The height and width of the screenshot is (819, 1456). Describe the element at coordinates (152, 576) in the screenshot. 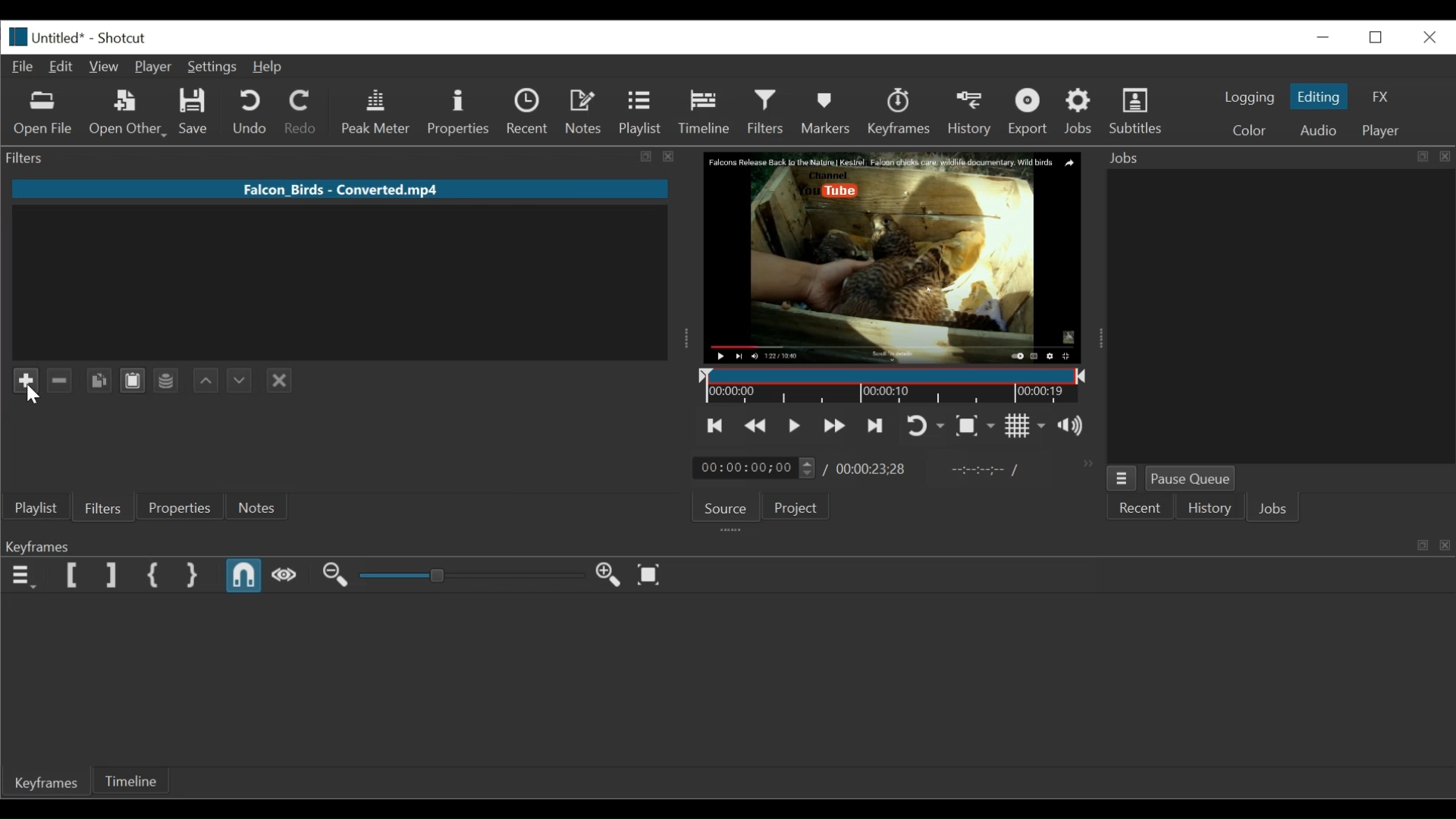

I see `Set First Simple Keyframe` at that location.